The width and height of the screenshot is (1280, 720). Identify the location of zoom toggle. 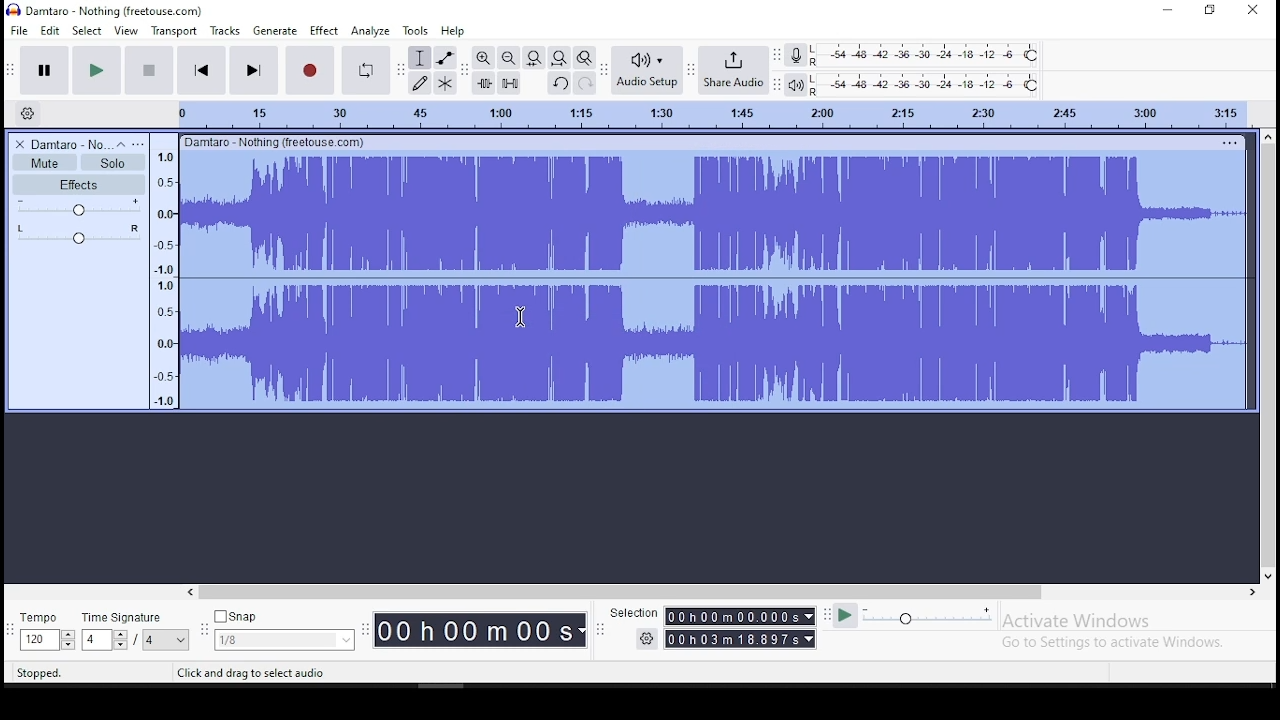
(584, 58).